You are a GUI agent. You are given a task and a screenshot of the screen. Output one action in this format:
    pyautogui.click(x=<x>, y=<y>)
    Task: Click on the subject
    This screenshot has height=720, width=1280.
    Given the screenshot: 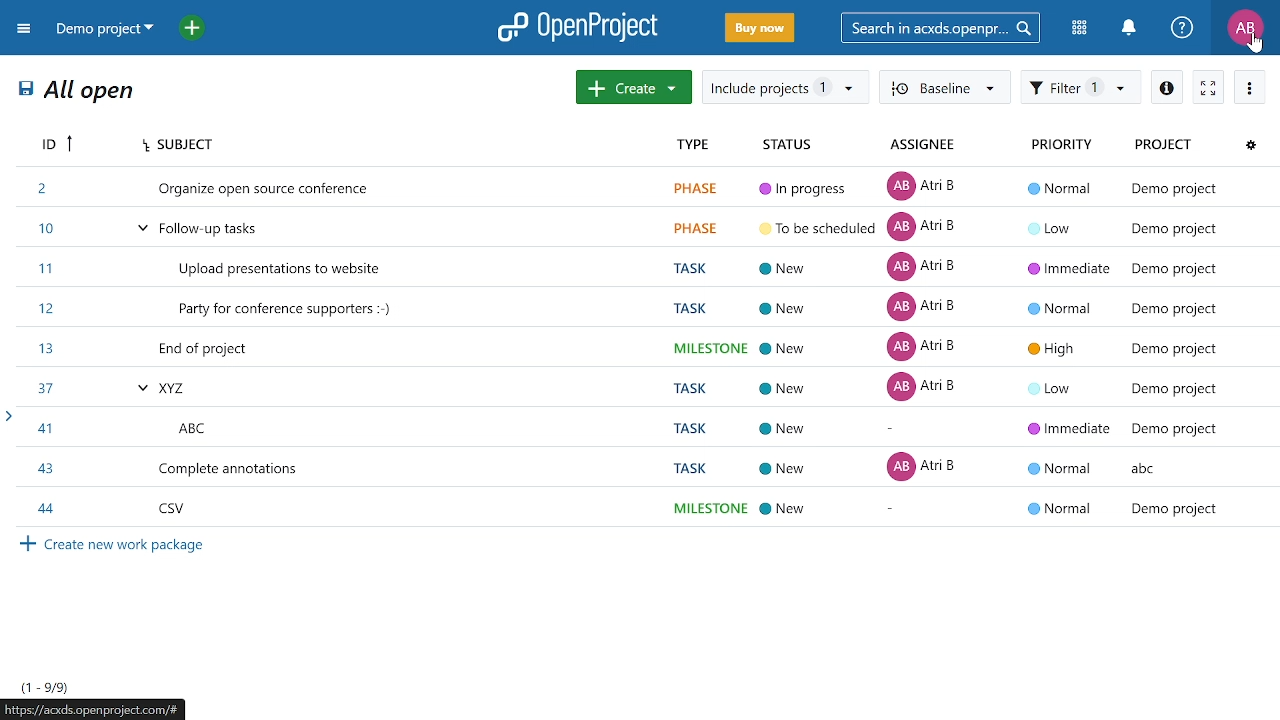 What is the action you would take?
    pyautogui.click(x=402, y=145)
    